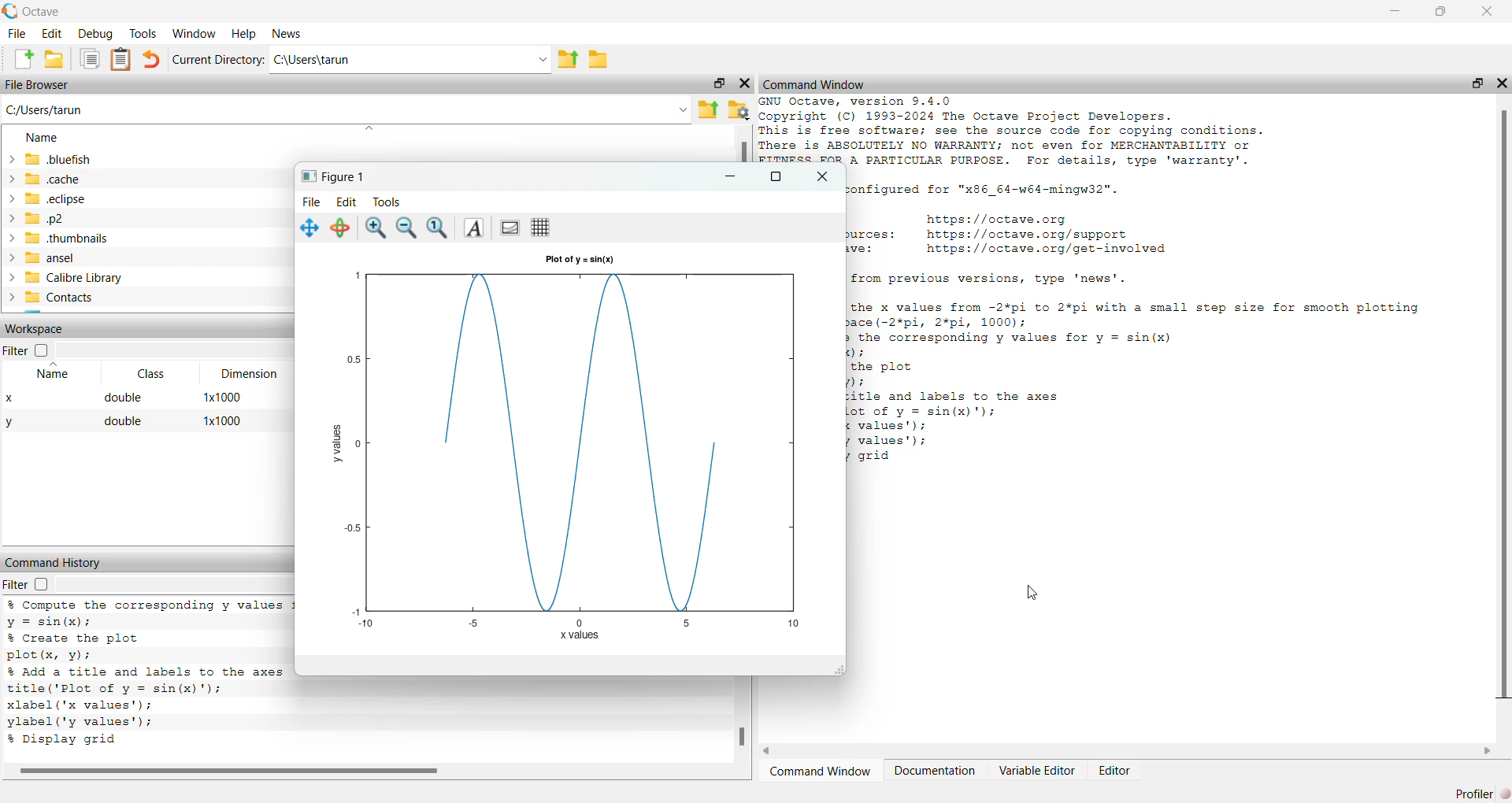 The width and height of the screenshot is (1512, 803). What do you see at coordinates (91, 58) in the screenshot?
I see `documents` at bounding box center [91, 58].